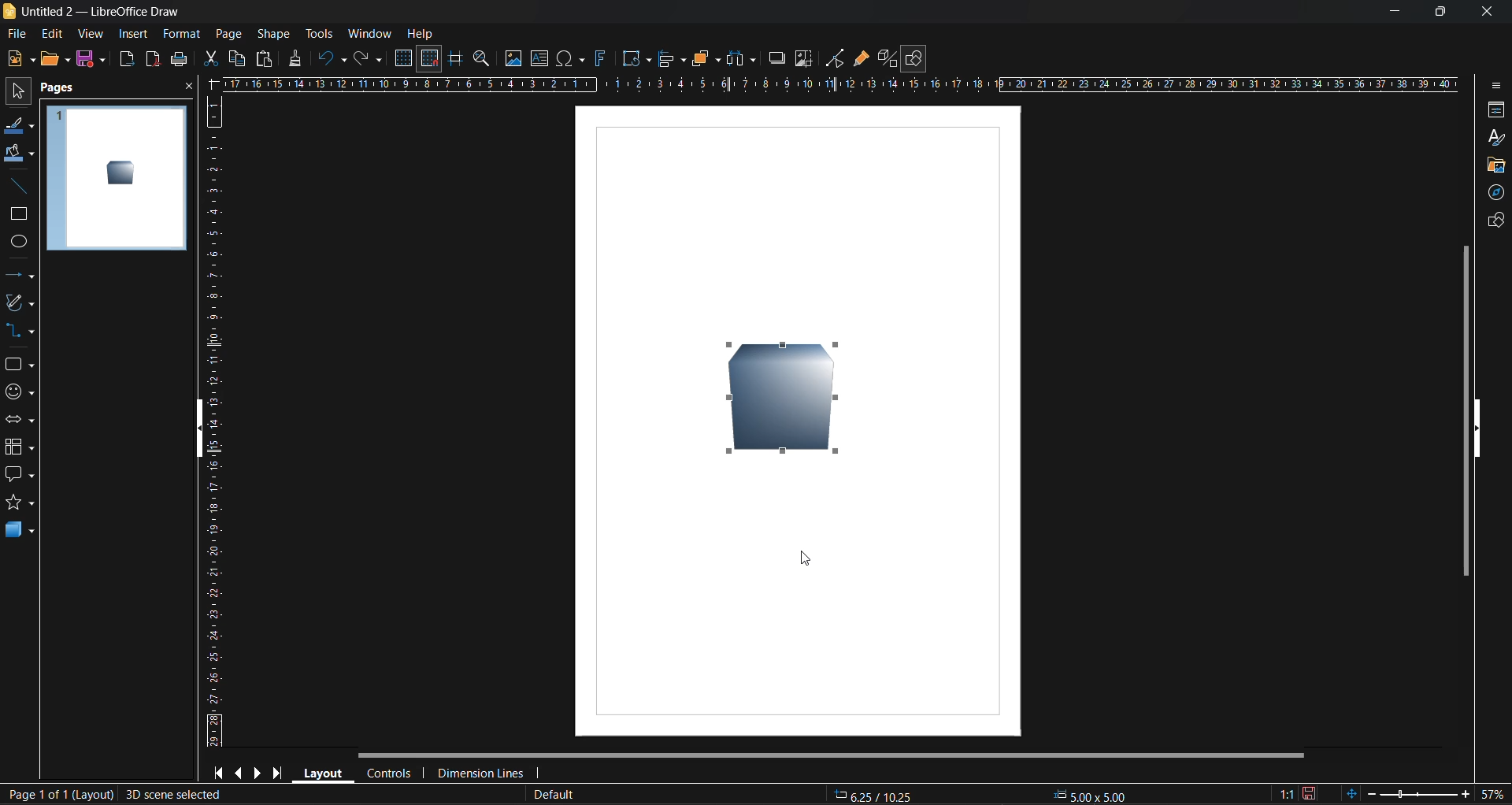  Describe the element at coordinates (1466, 410) in the screenshot. I see `vertical scroll bar` at that location.